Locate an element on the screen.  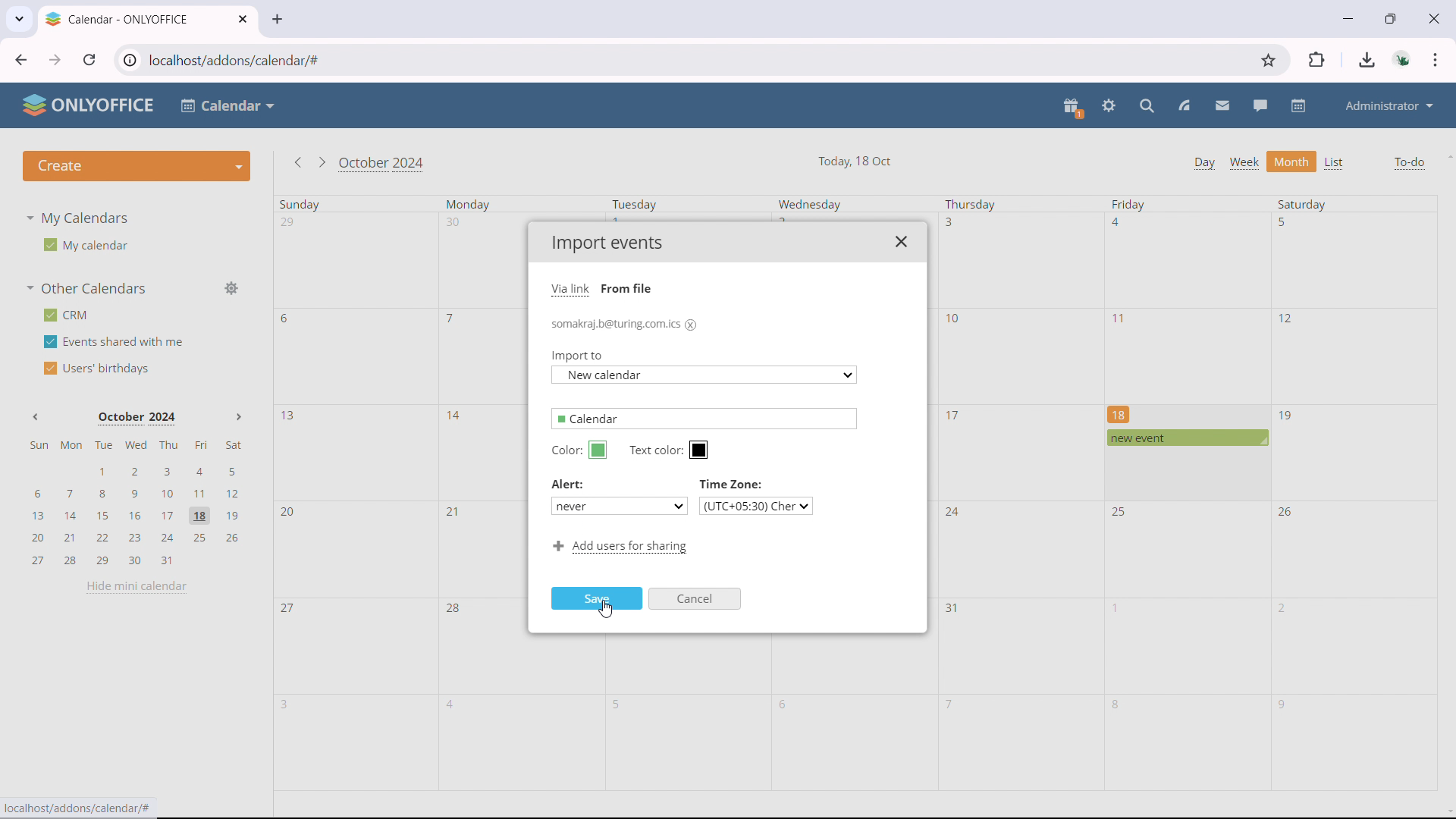
Sunday is located at coordinates (303, 205).